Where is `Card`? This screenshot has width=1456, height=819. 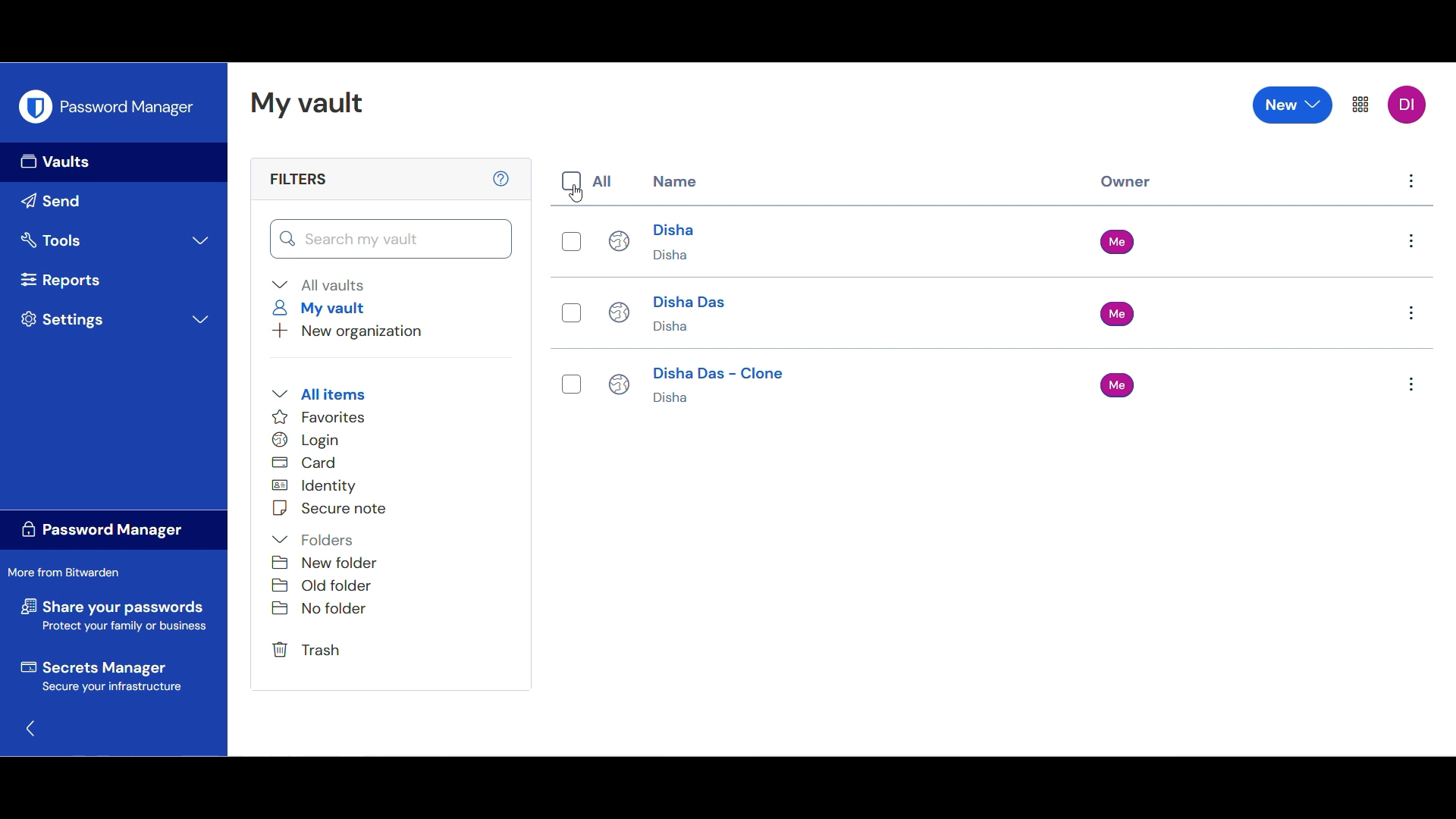 Card is located at coordinates (313, 463).